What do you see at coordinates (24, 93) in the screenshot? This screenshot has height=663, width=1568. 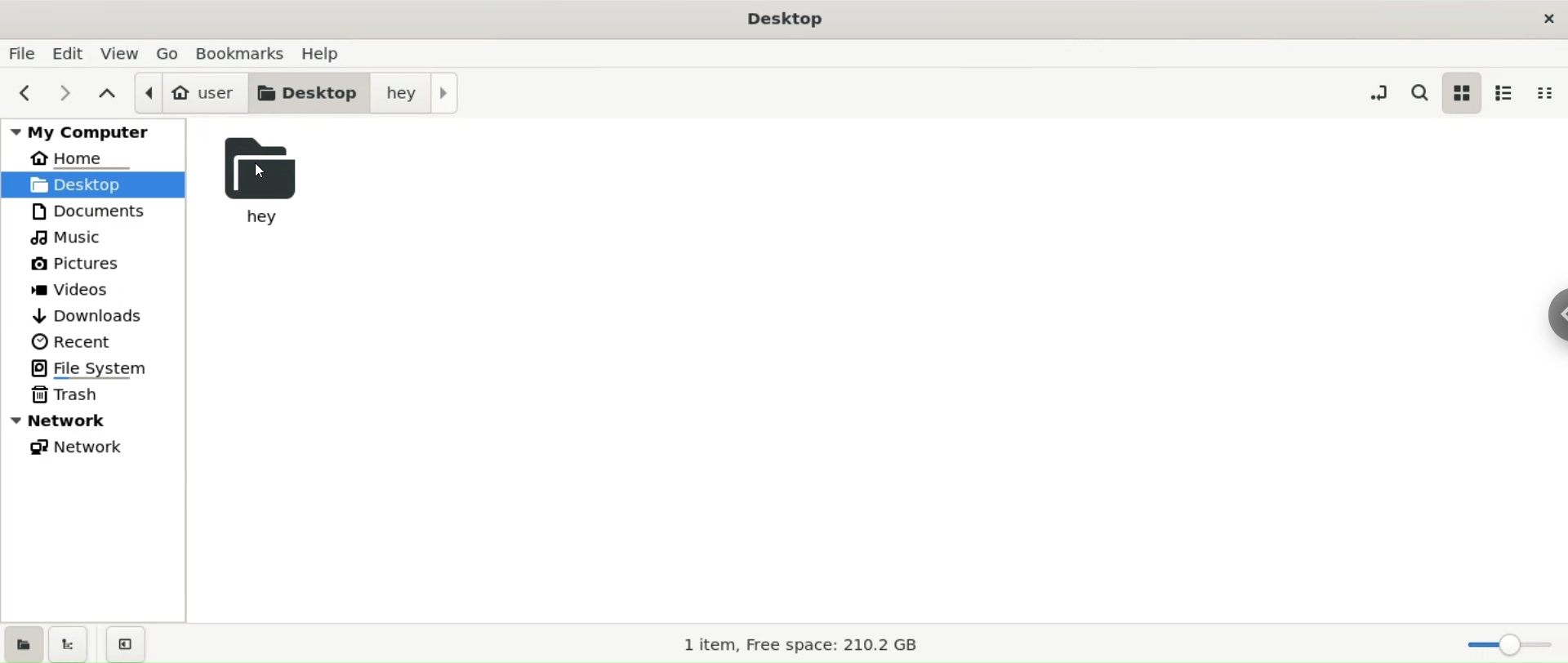 I see `previous` at bounding box center [24, 93].